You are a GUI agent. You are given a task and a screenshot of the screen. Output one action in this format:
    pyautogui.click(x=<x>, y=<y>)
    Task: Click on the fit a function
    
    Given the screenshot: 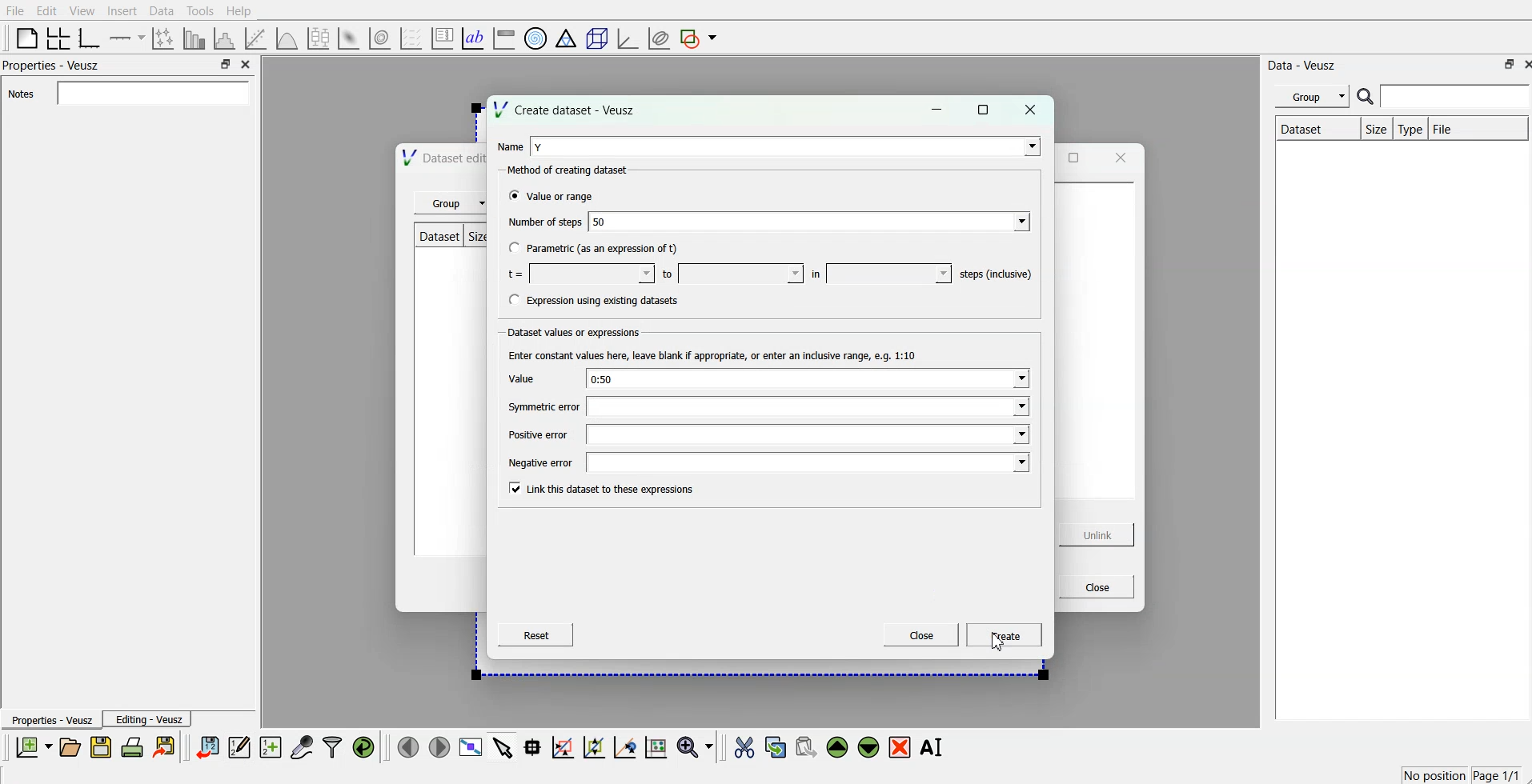 What is the action you would take?
    pyautogui.click(x=258, y=37)
    